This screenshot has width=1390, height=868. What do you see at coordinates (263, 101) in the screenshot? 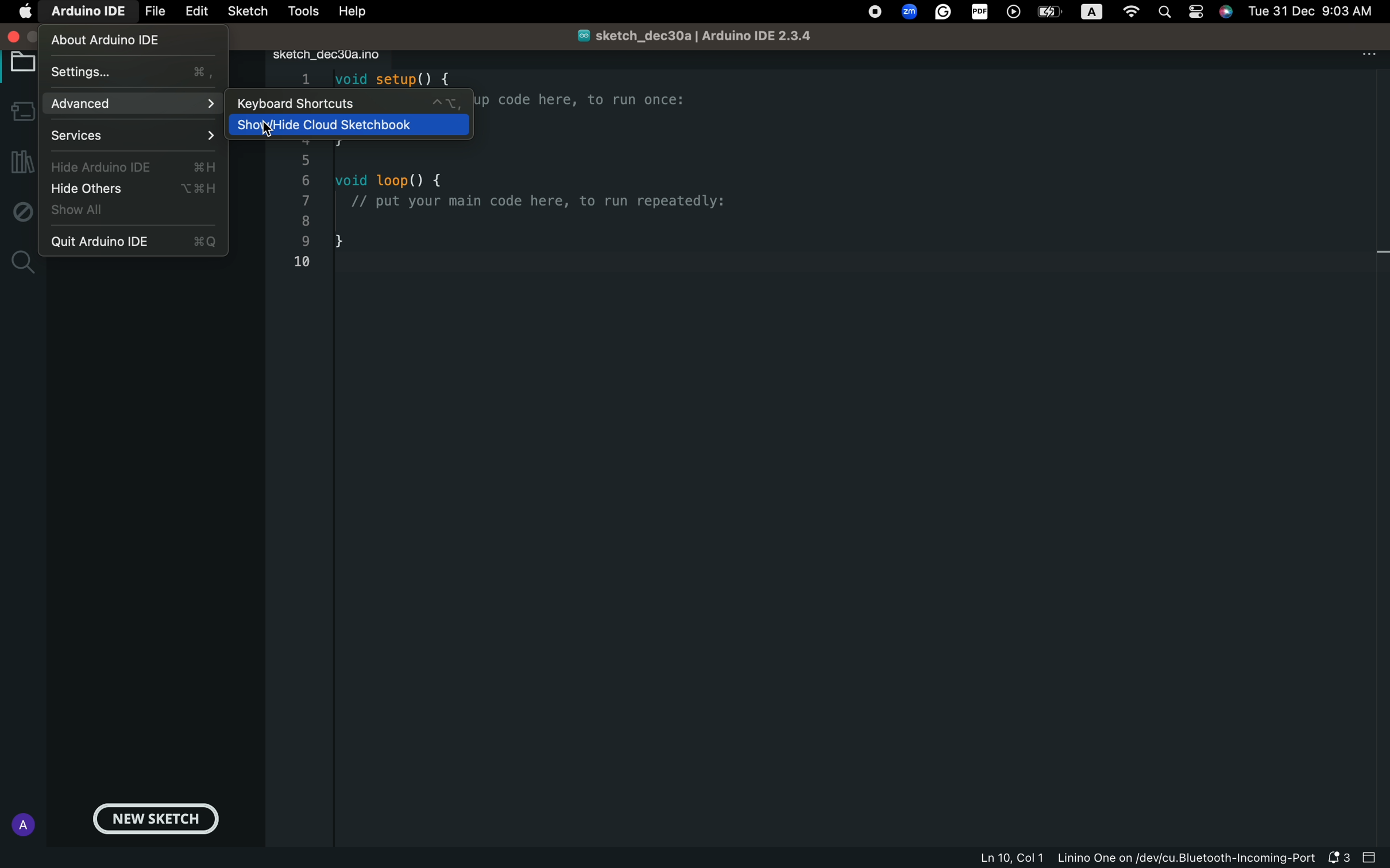
I see `keyboard shortcuts` at bounding box center [263, 101].